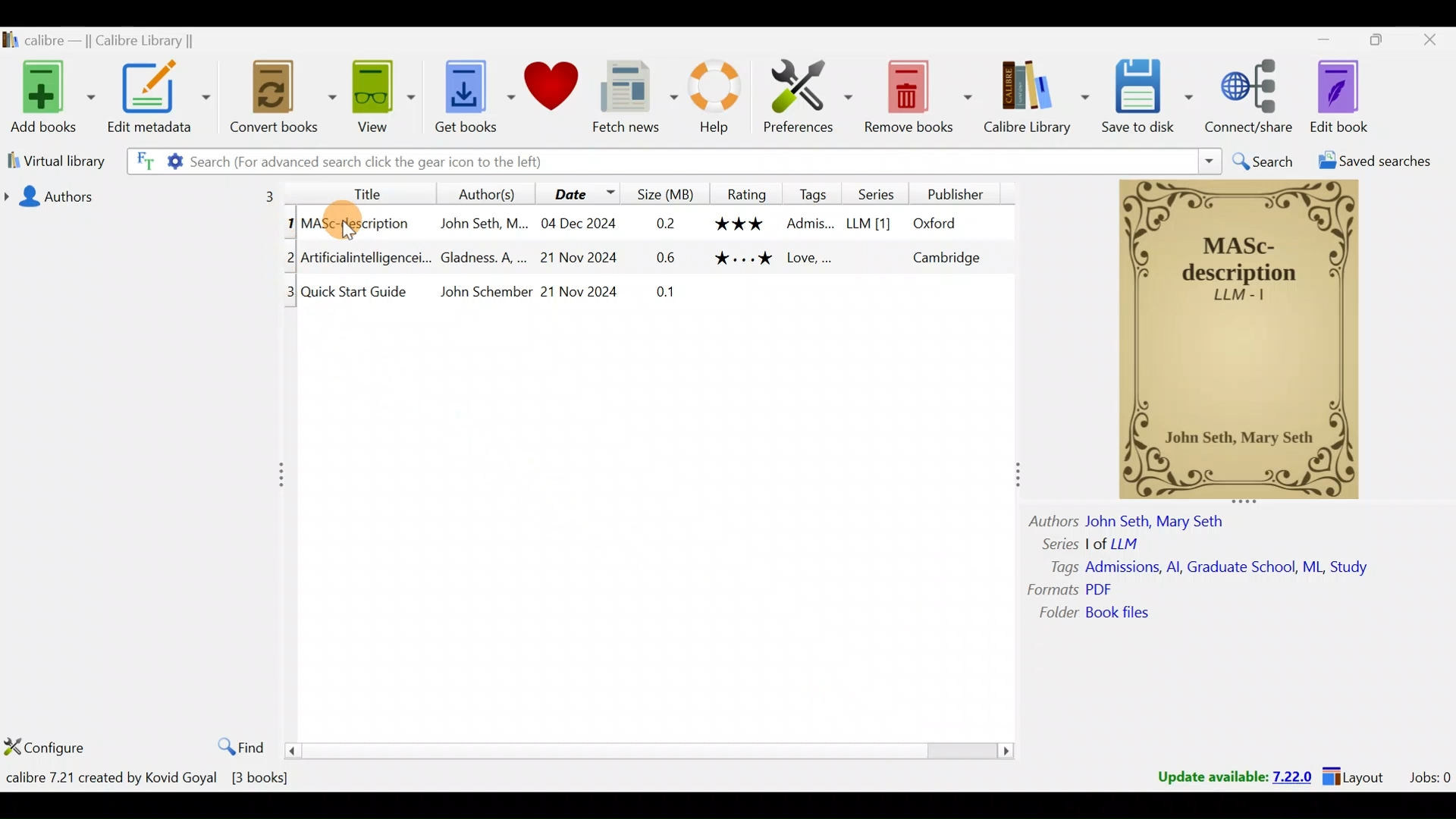 The height and width of the screenshot is (819, 1456). Describe the element at coordinates (881, 193) in the screenshot. I see `Series` at that location.